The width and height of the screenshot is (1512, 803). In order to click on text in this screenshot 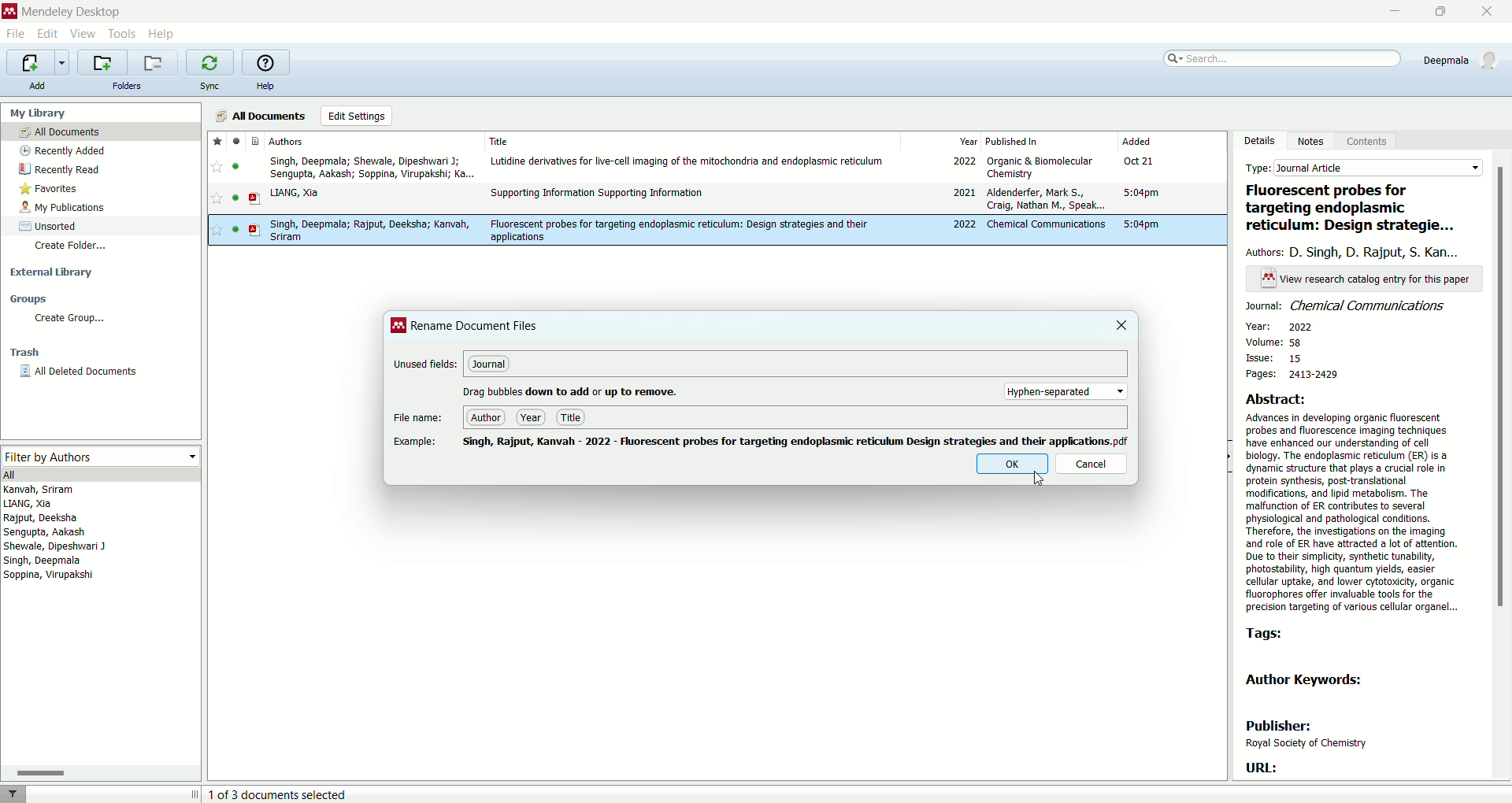, I will do `click(573, 392)`.